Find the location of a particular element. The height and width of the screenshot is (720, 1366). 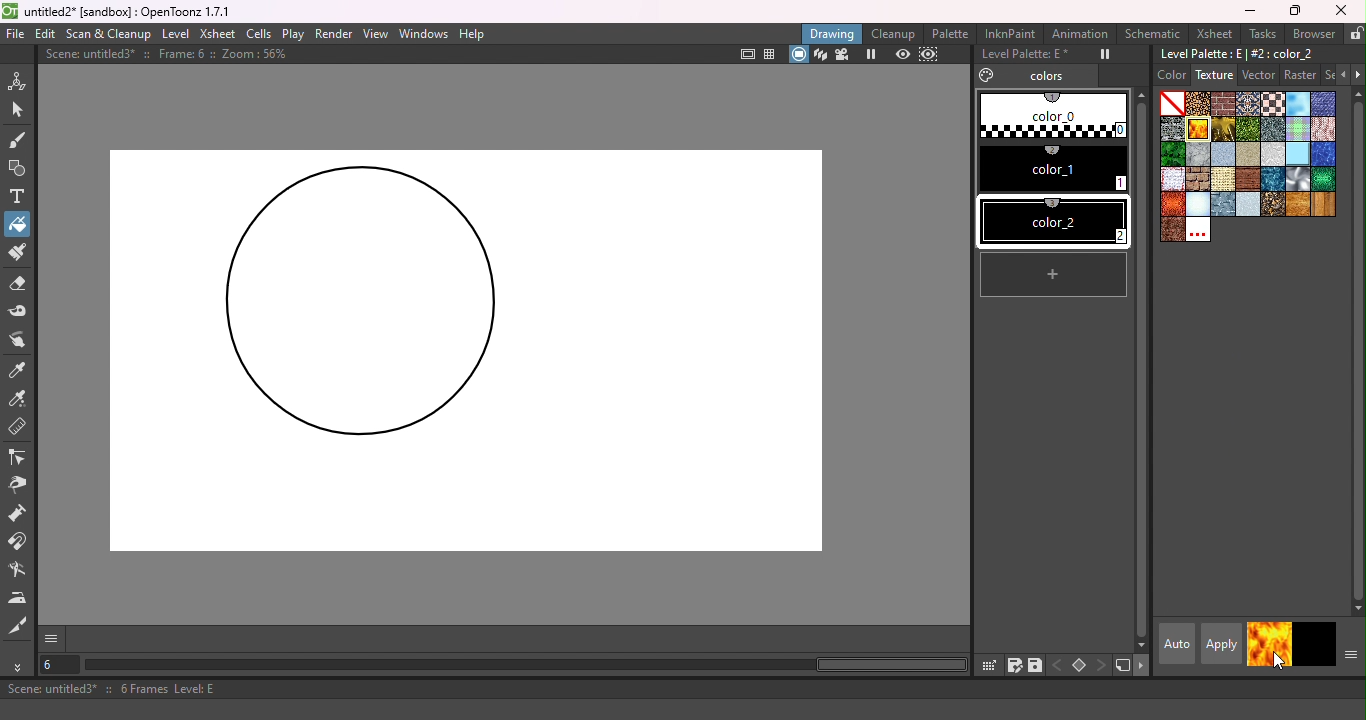

Sil.bmp is located at coordinates (1298, 179).